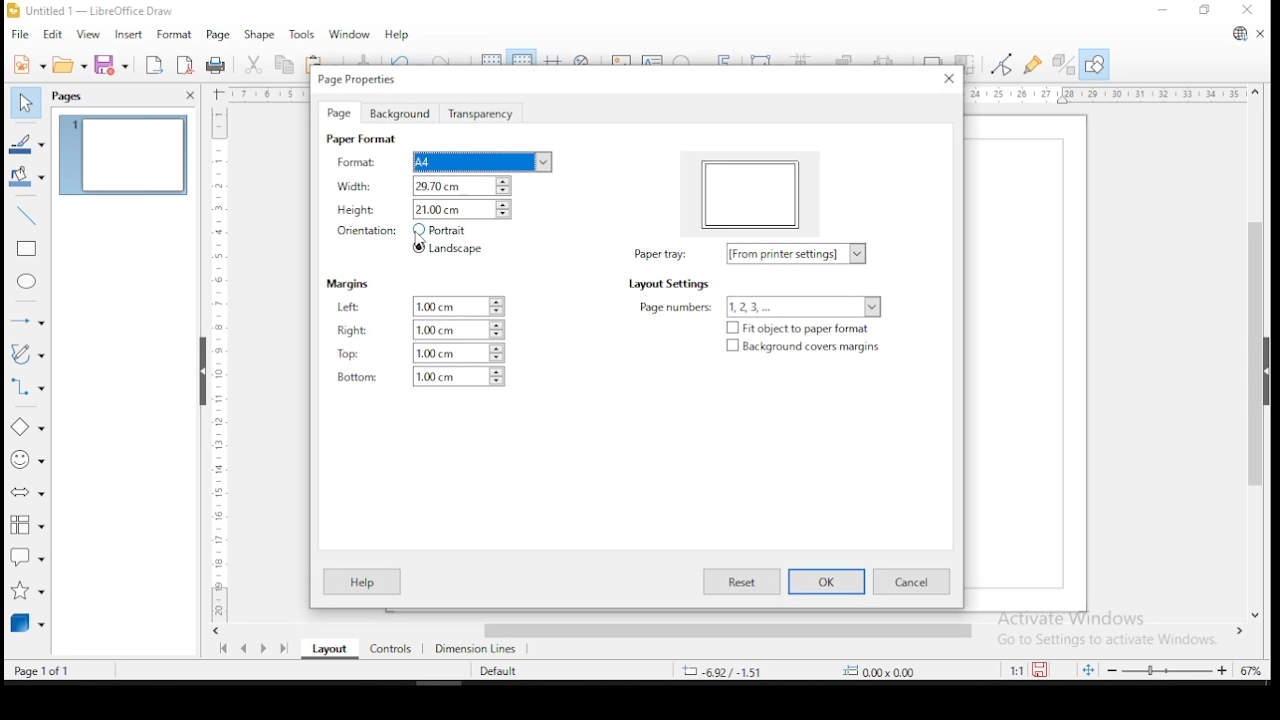 The height and width of the screenshot is (720, 1280). I want to click on cursor, so click(422, 236).